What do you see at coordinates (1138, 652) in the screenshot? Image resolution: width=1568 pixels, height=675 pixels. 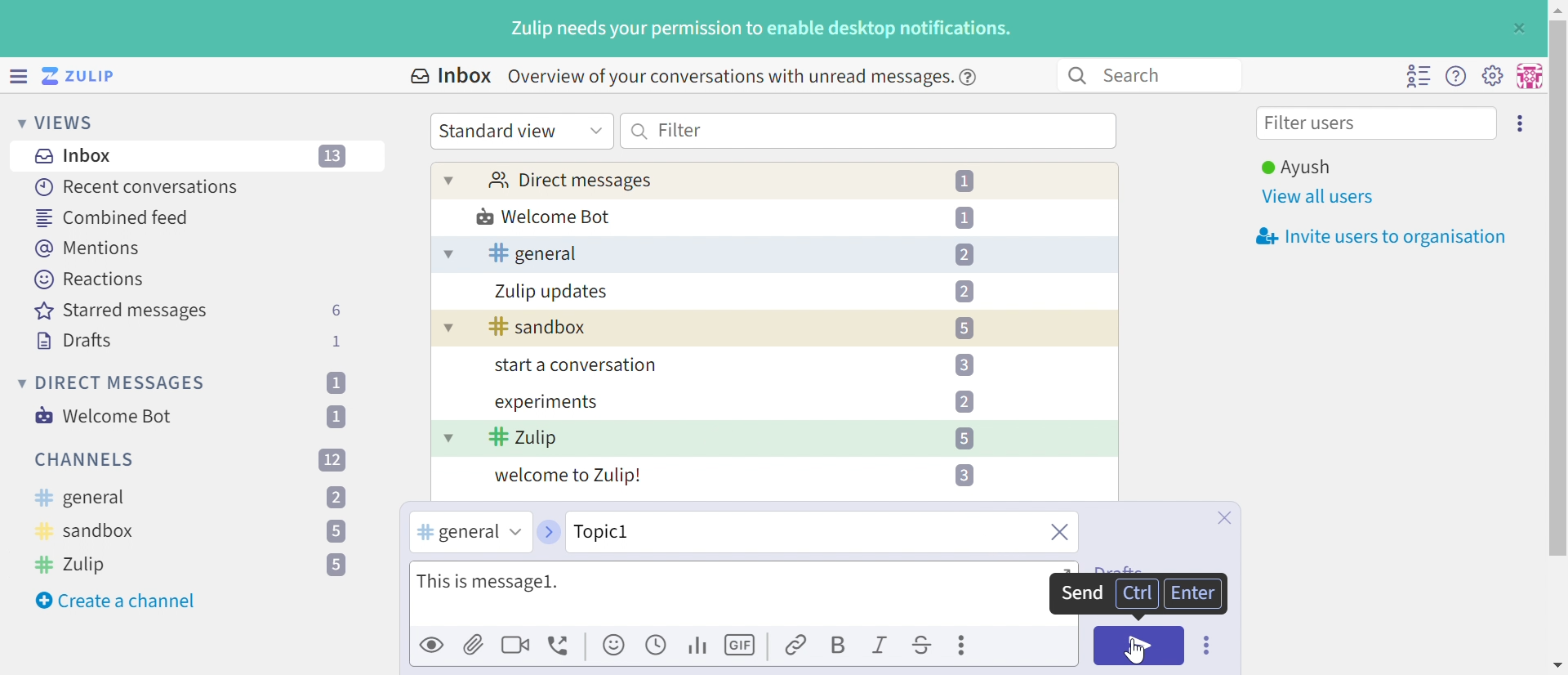 I see `Cursor` at bounding box center [1138, 652].